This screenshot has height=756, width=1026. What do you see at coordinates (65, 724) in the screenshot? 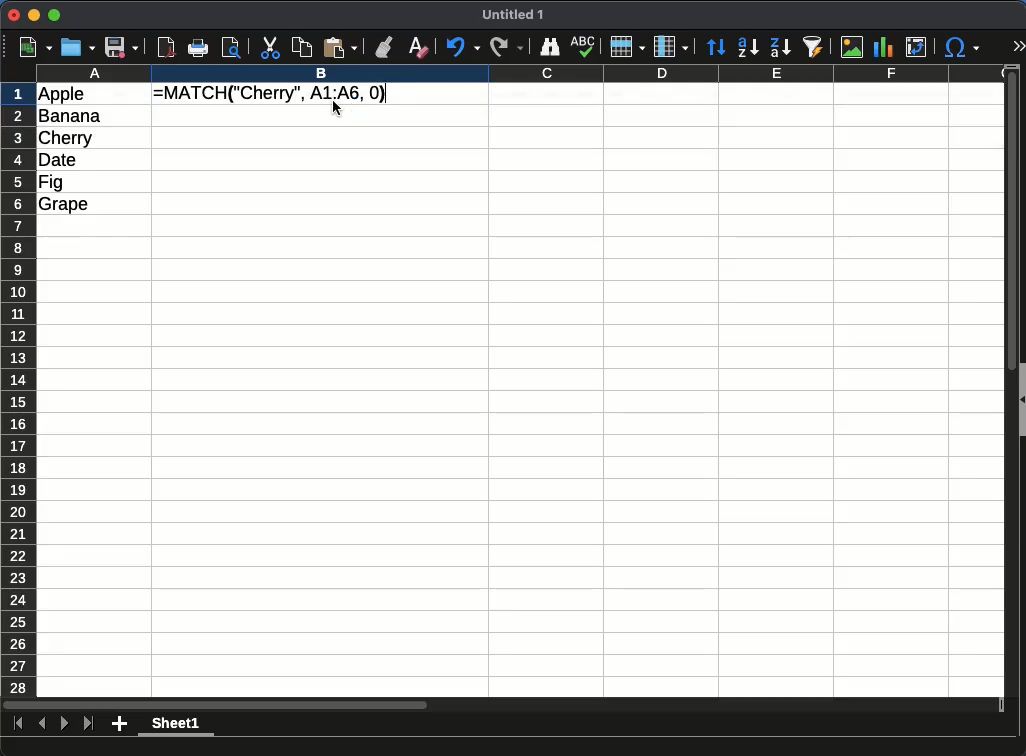
I see `next sheet` at bounding box center [65, 724].